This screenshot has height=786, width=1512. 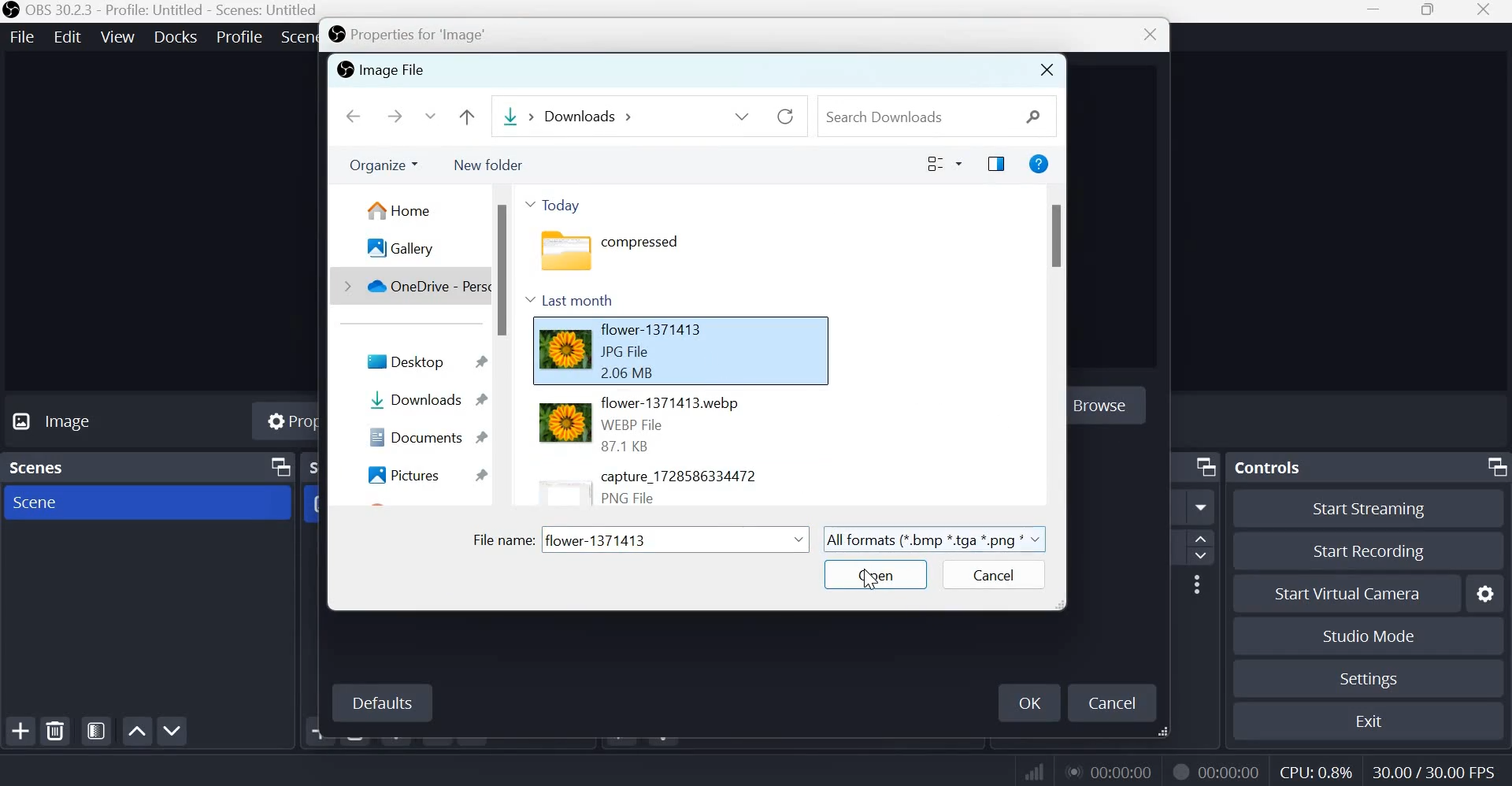 I want to click on up to "desktop", so click(x=465, y=114).